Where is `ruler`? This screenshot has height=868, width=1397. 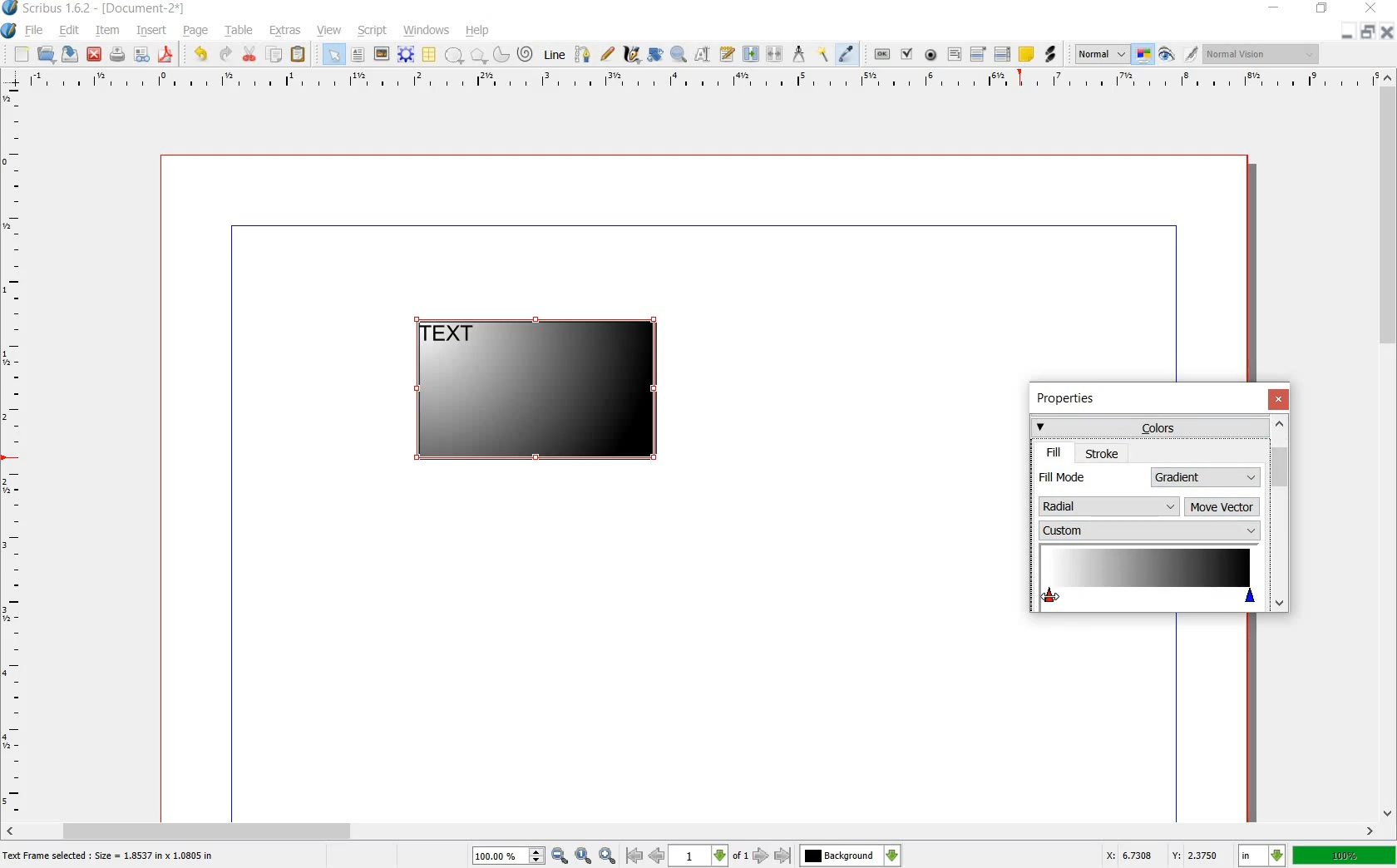
ruler is located at coordinates (14, 452).